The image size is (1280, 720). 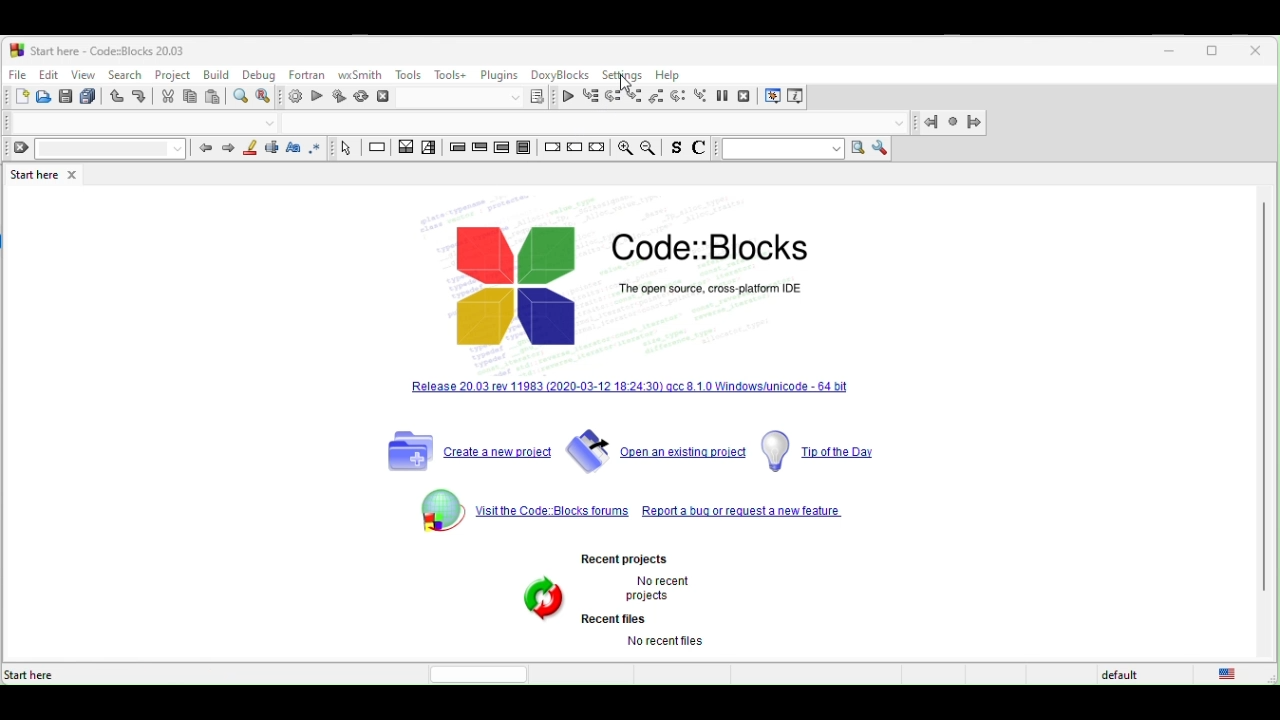 I want to click on build, so click(x=218, y=75).